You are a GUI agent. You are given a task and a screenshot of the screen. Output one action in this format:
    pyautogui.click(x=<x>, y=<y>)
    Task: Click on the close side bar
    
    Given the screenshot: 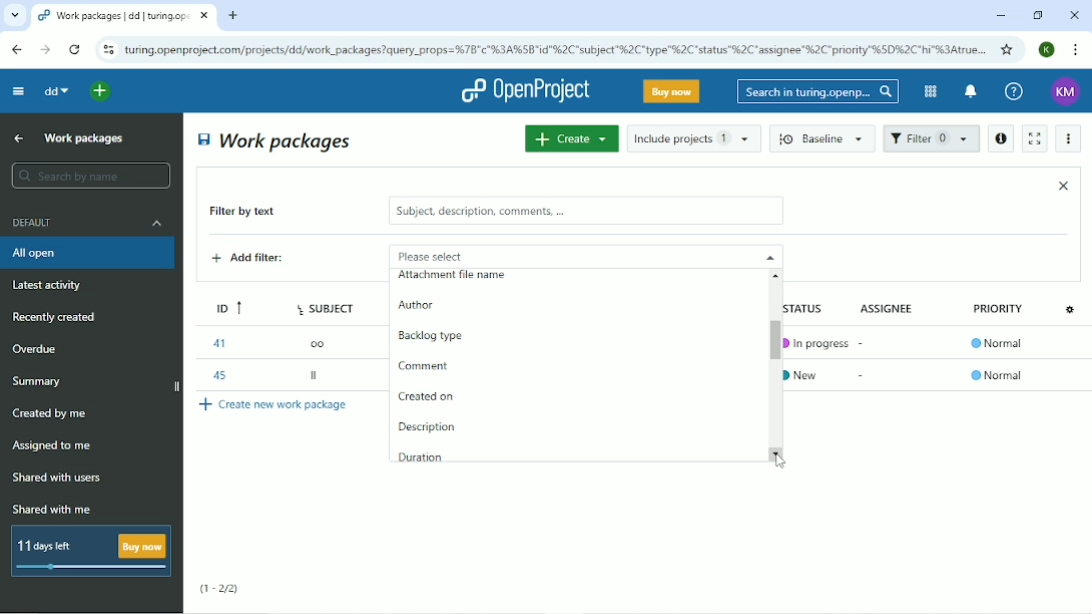 What is the action you would take?
    pyautogui.click(x=175, y=388)
    